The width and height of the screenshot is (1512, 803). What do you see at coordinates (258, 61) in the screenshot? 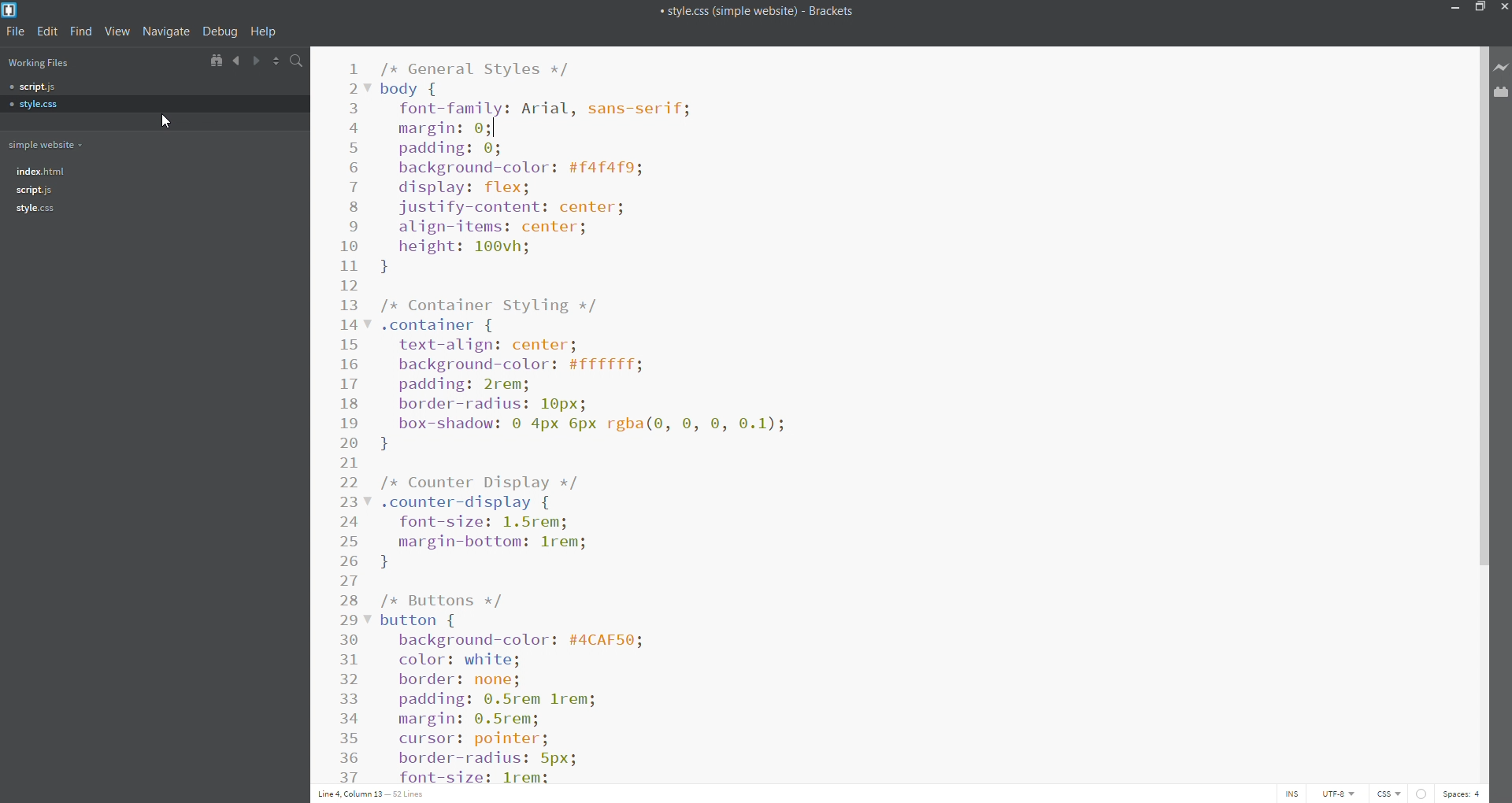
I see `navigate forward` at bounding box center [258, 61].